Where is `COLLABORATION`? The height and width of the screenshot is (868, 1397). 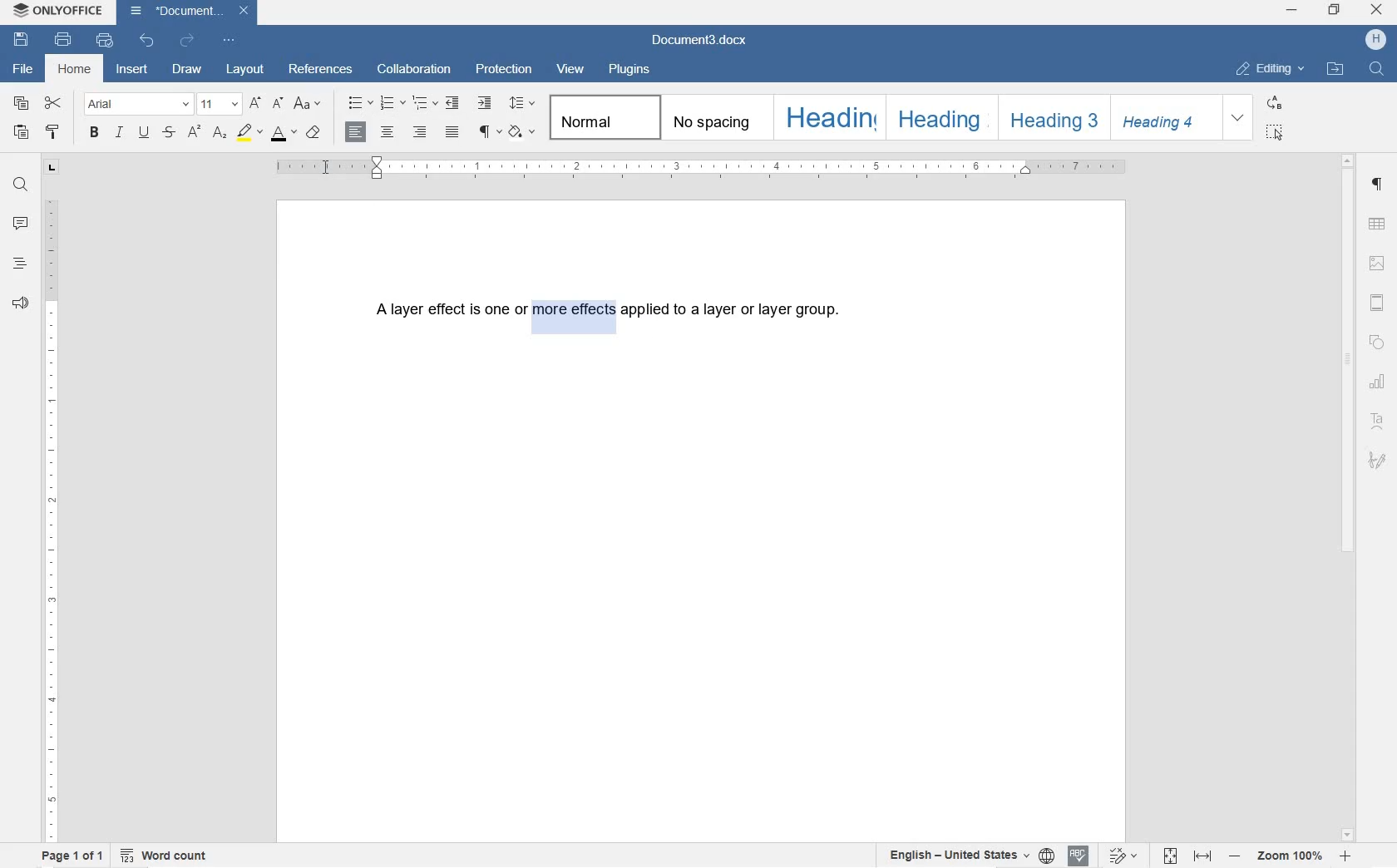 COLLABORATION is located at coordinates (414, 68).